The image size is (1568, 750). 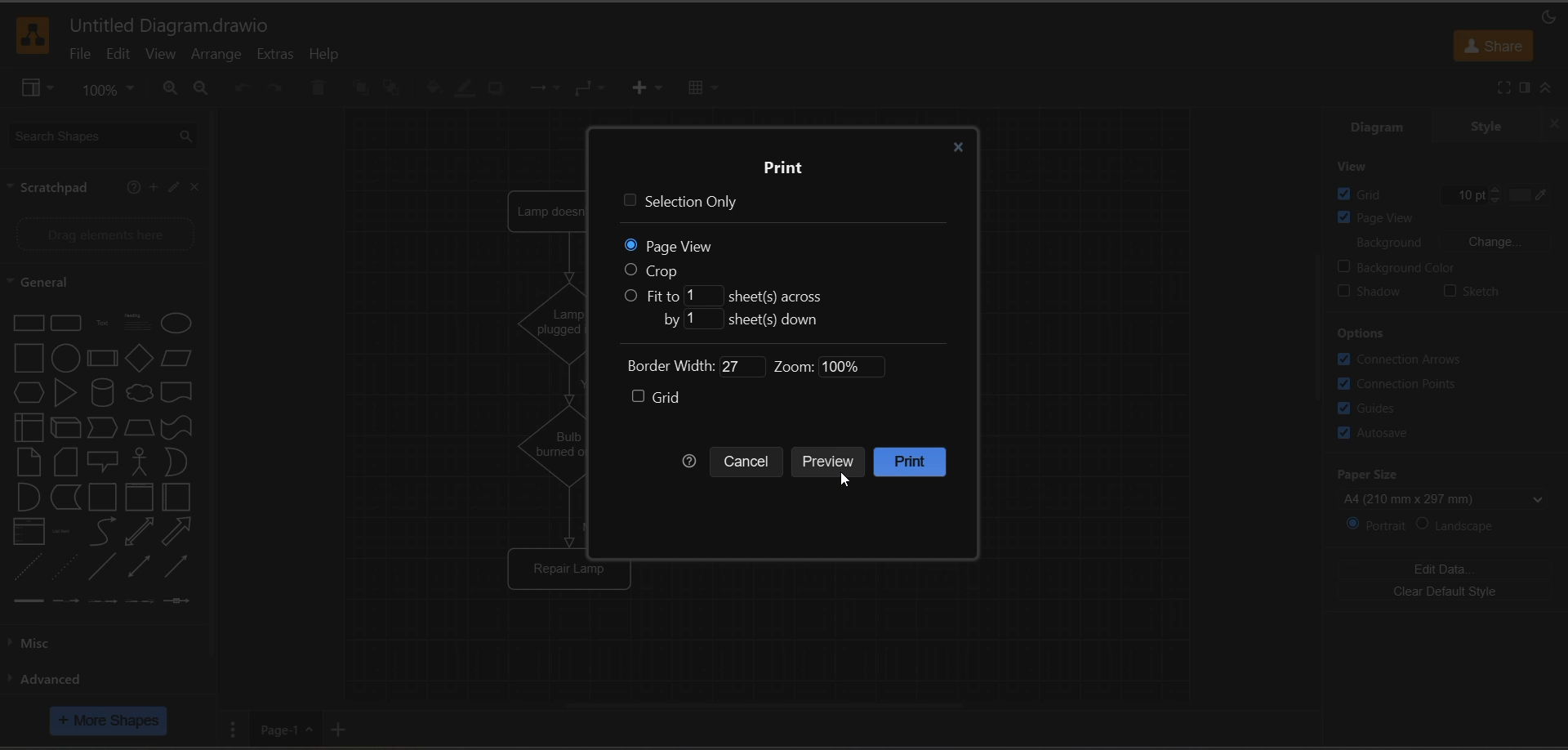 What do you see at coordinates (1371, 525) in the screenshot?
I see `portrait` at bounding box center [1371, 525].